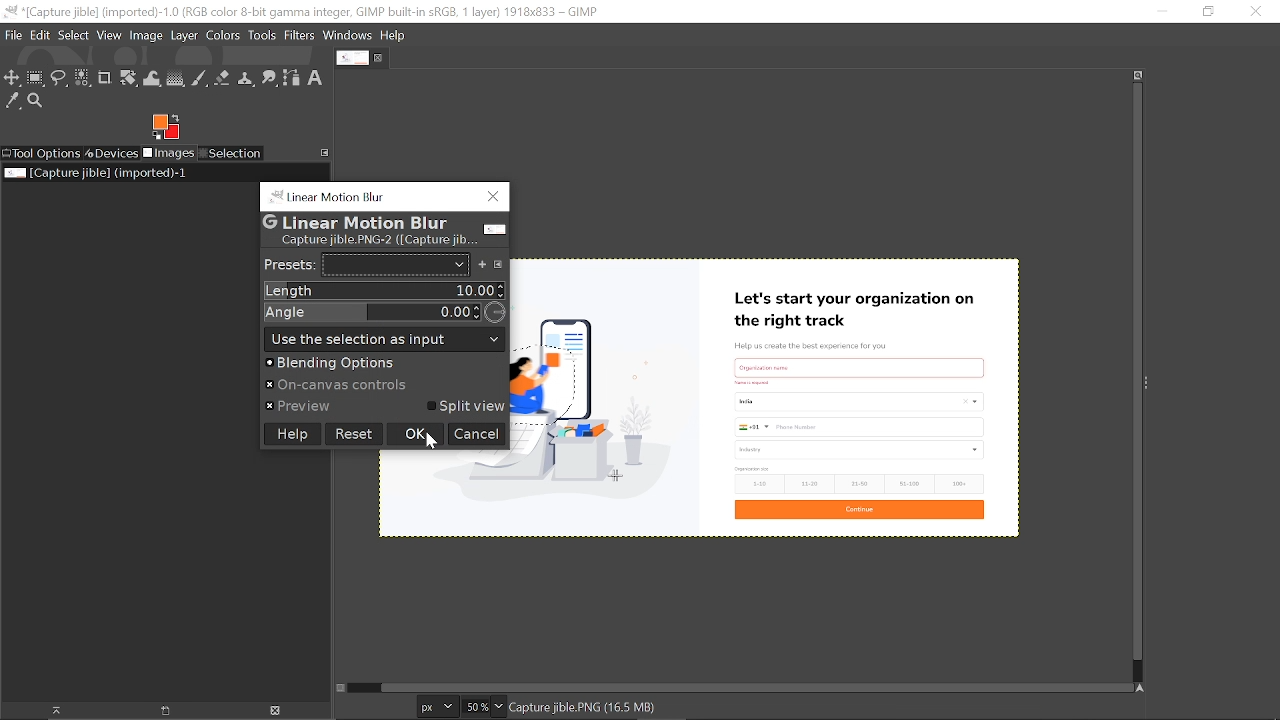 The width and height of the screenshot is (1280, 720). Describe the element at coordinates (158, 711) in the screenshot. I see `open new display` at that location.